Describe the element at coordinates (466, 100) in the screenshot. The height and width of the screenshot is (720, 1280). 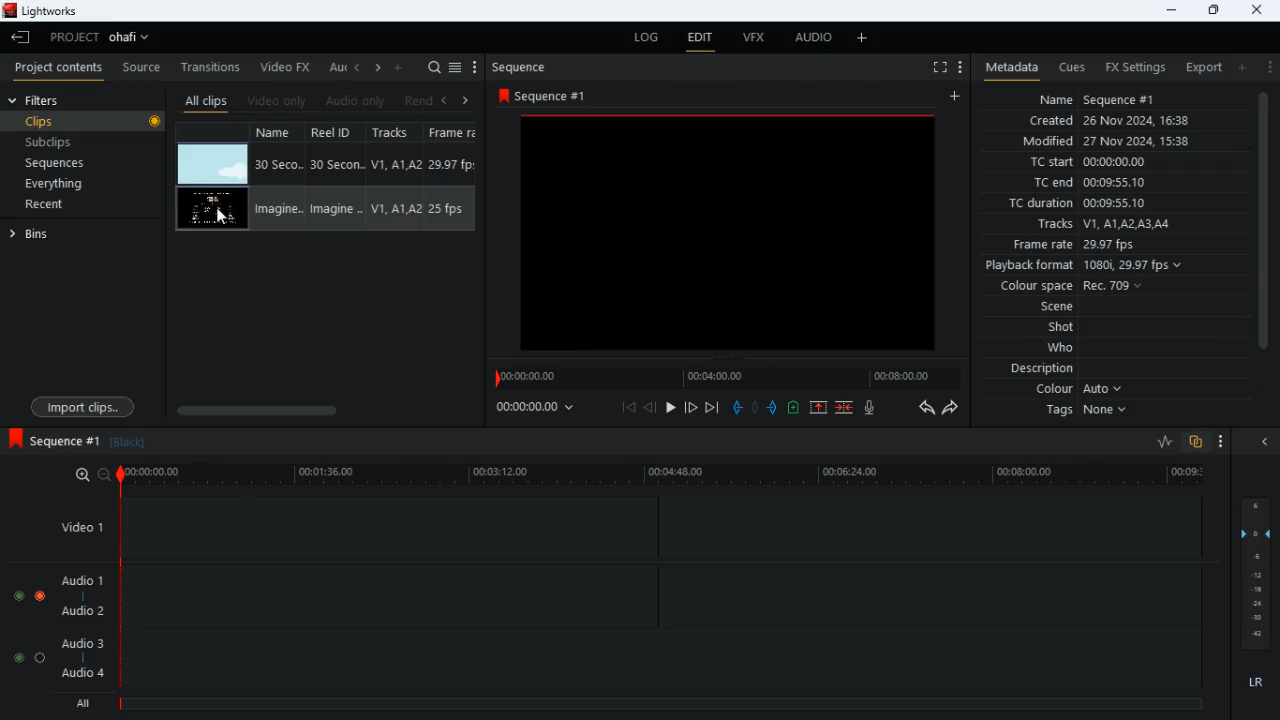
I see `right` at that location.